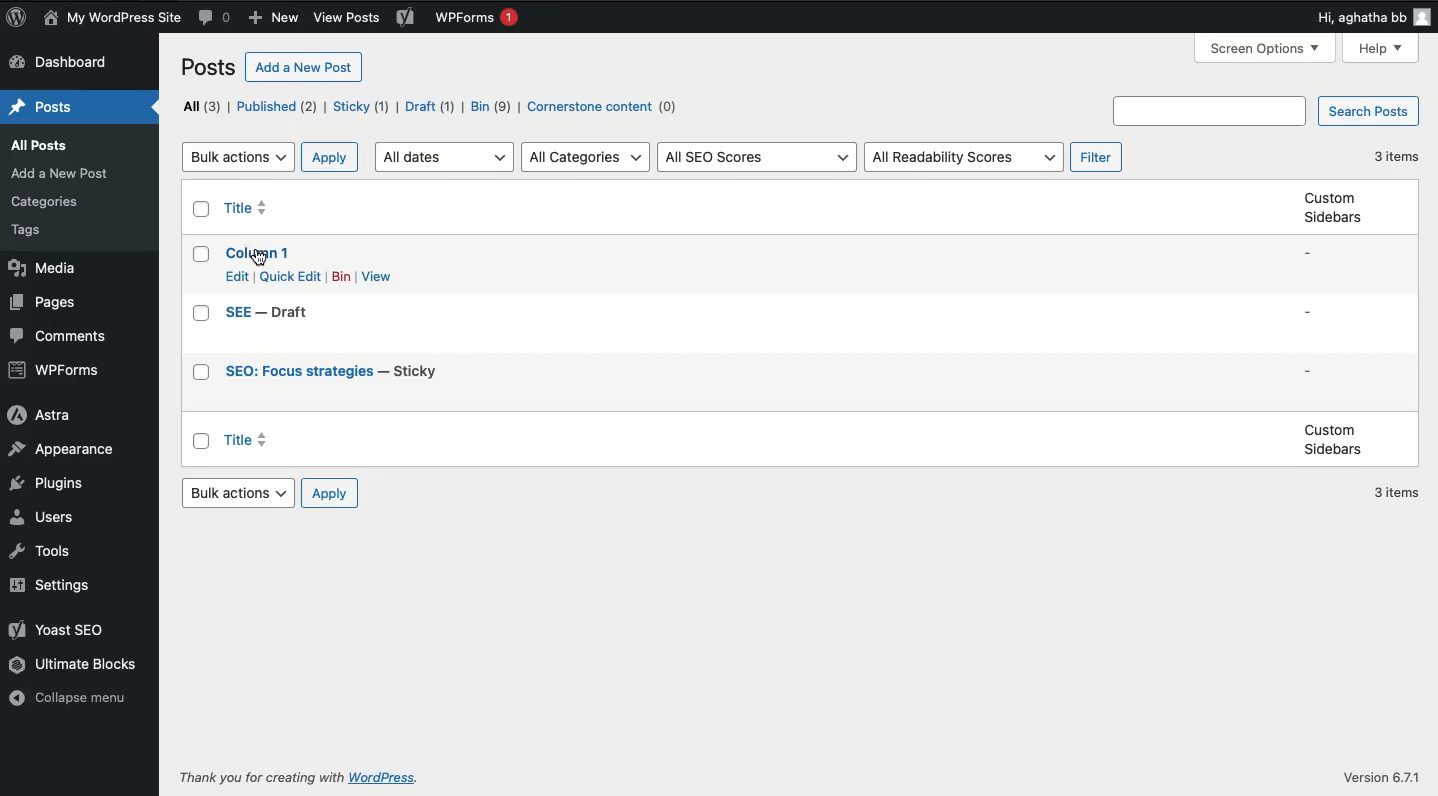  What do you see at coordinates (44, 552) in the screenshot?
I see `Tools ` at bounding box center [44, 552].